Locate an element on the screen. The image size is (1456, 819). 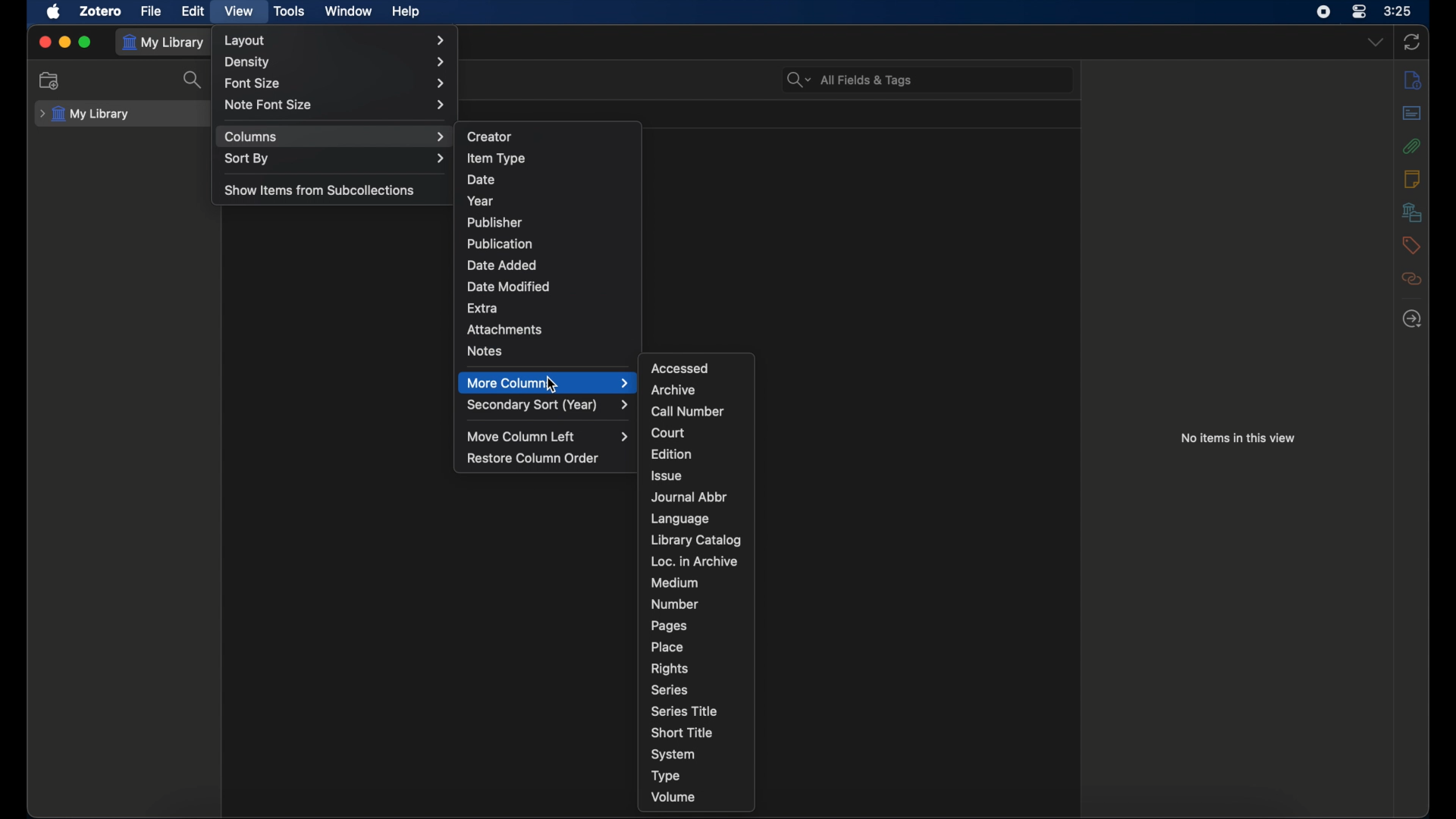
libraries is located at coordinates (1412, 212).